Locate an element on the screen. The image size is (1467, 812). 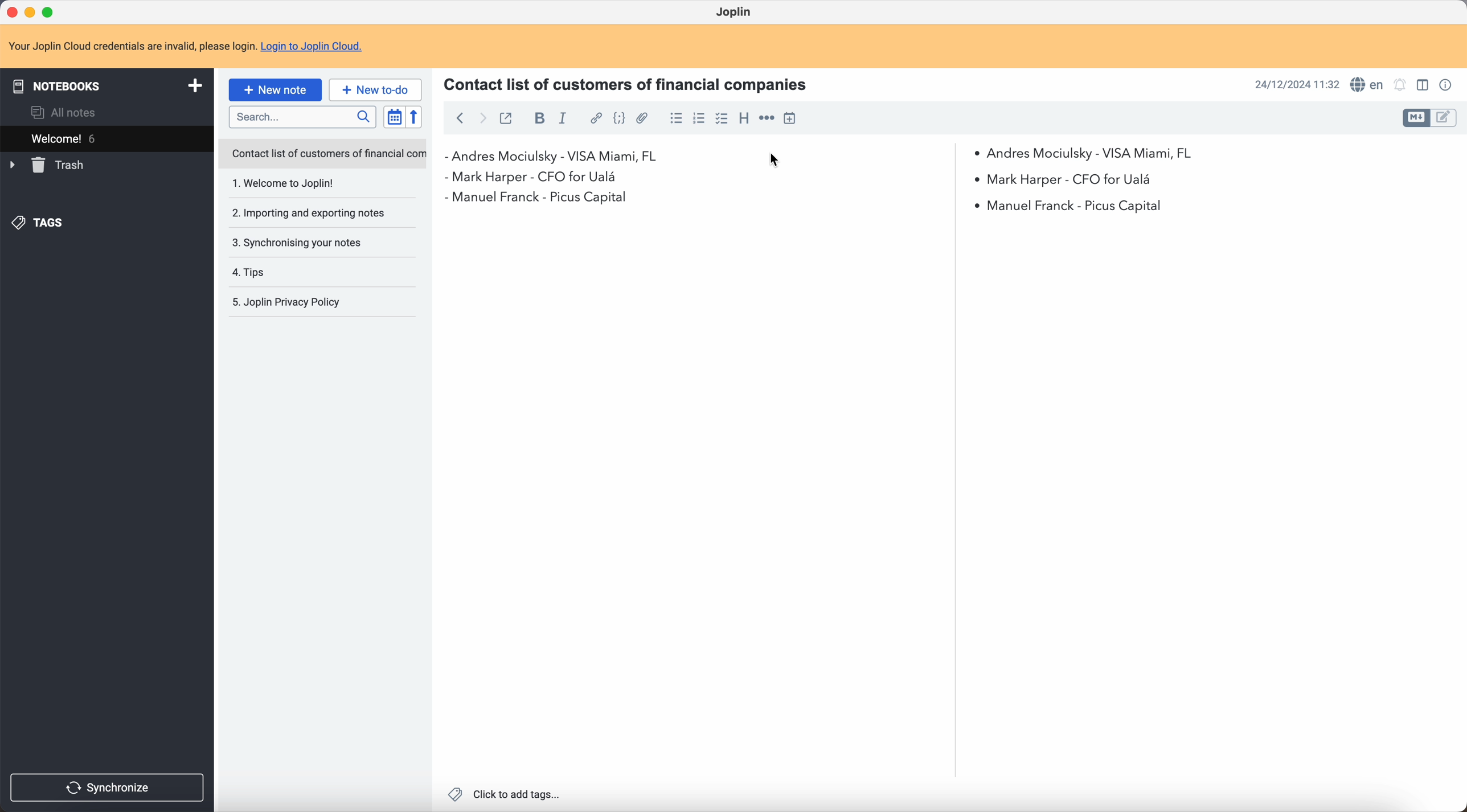
note properties is located at coordinates (1448, 85).